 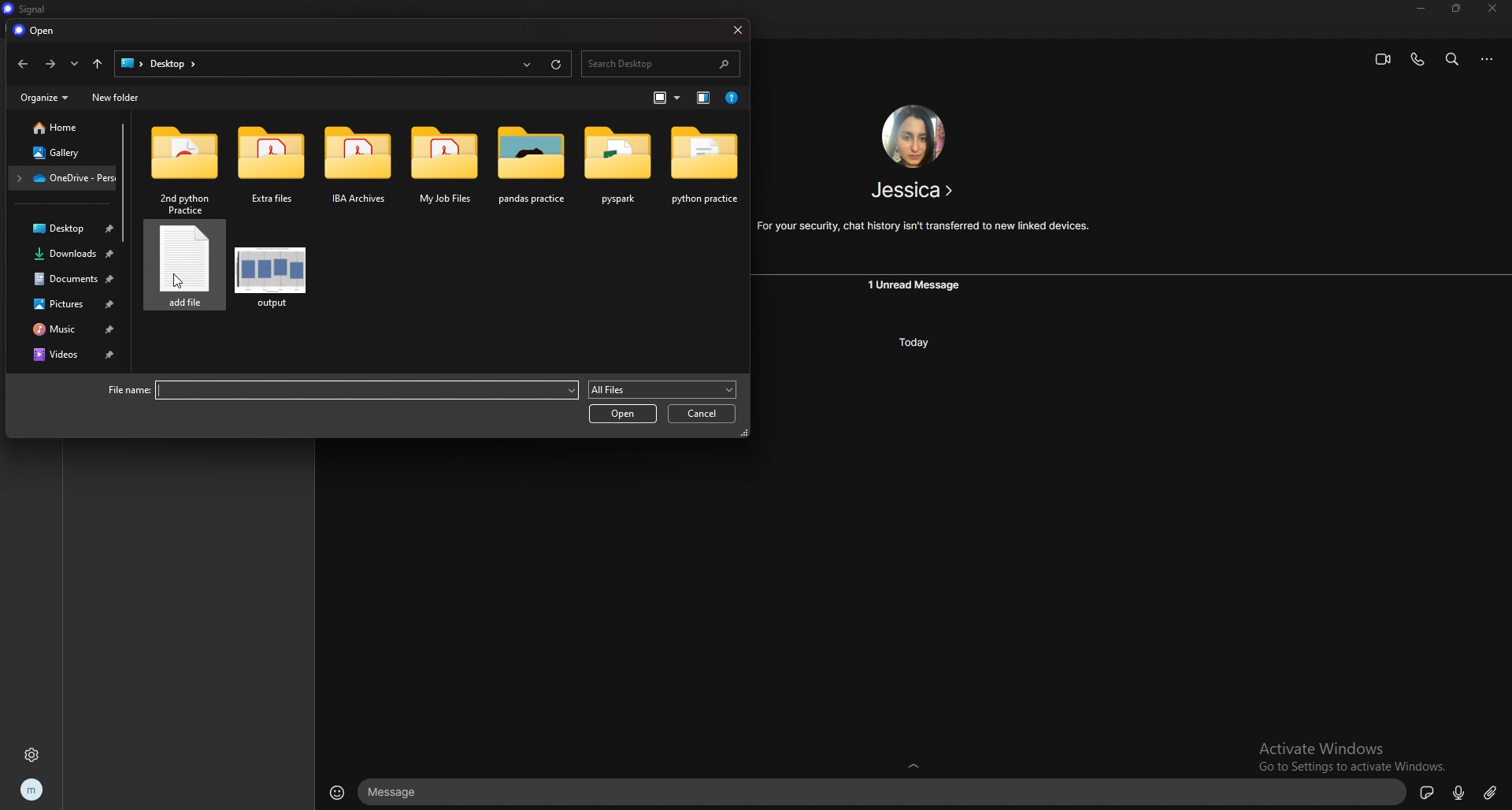 What do you see at coordinates (43, 96) in the screenshot?
I see `organize` at bounding box center [43, 96].